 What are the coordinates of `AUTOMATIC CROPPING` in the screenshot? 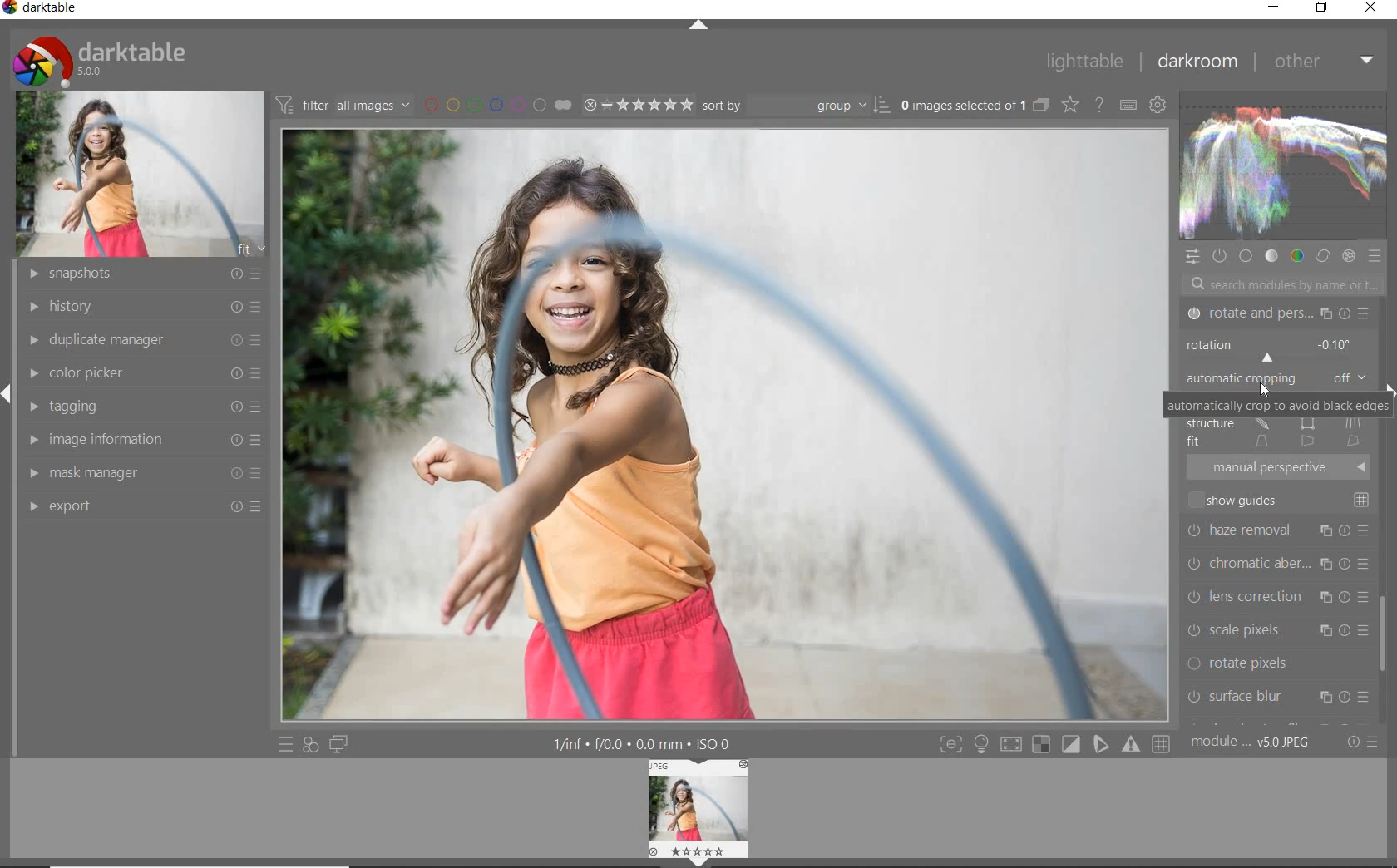 It's located at (1274, 379).